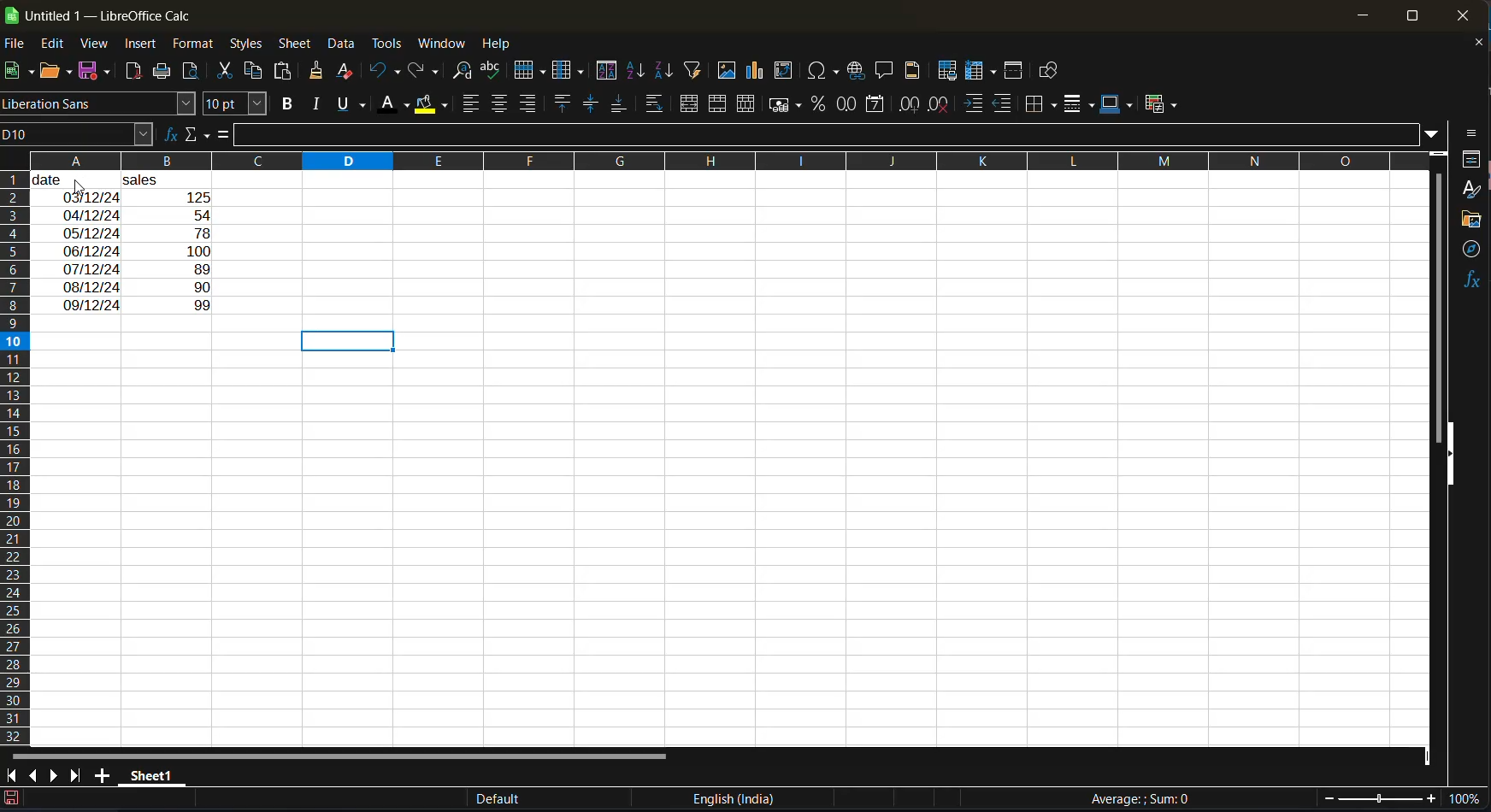  I want to click on input text, so click(143, 250).